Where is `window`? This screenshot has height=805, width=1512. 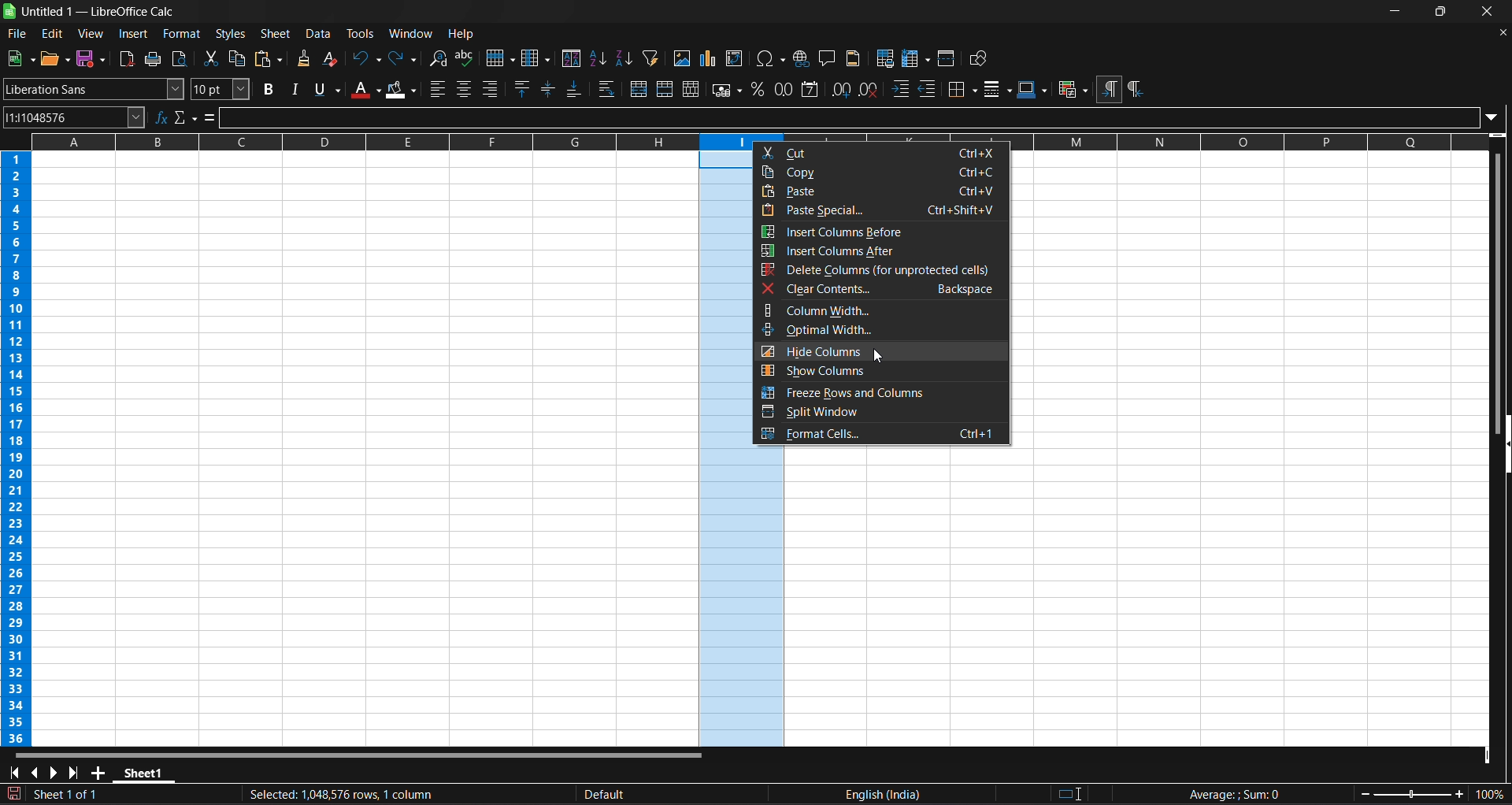 window is located at coordinates (411, 34).